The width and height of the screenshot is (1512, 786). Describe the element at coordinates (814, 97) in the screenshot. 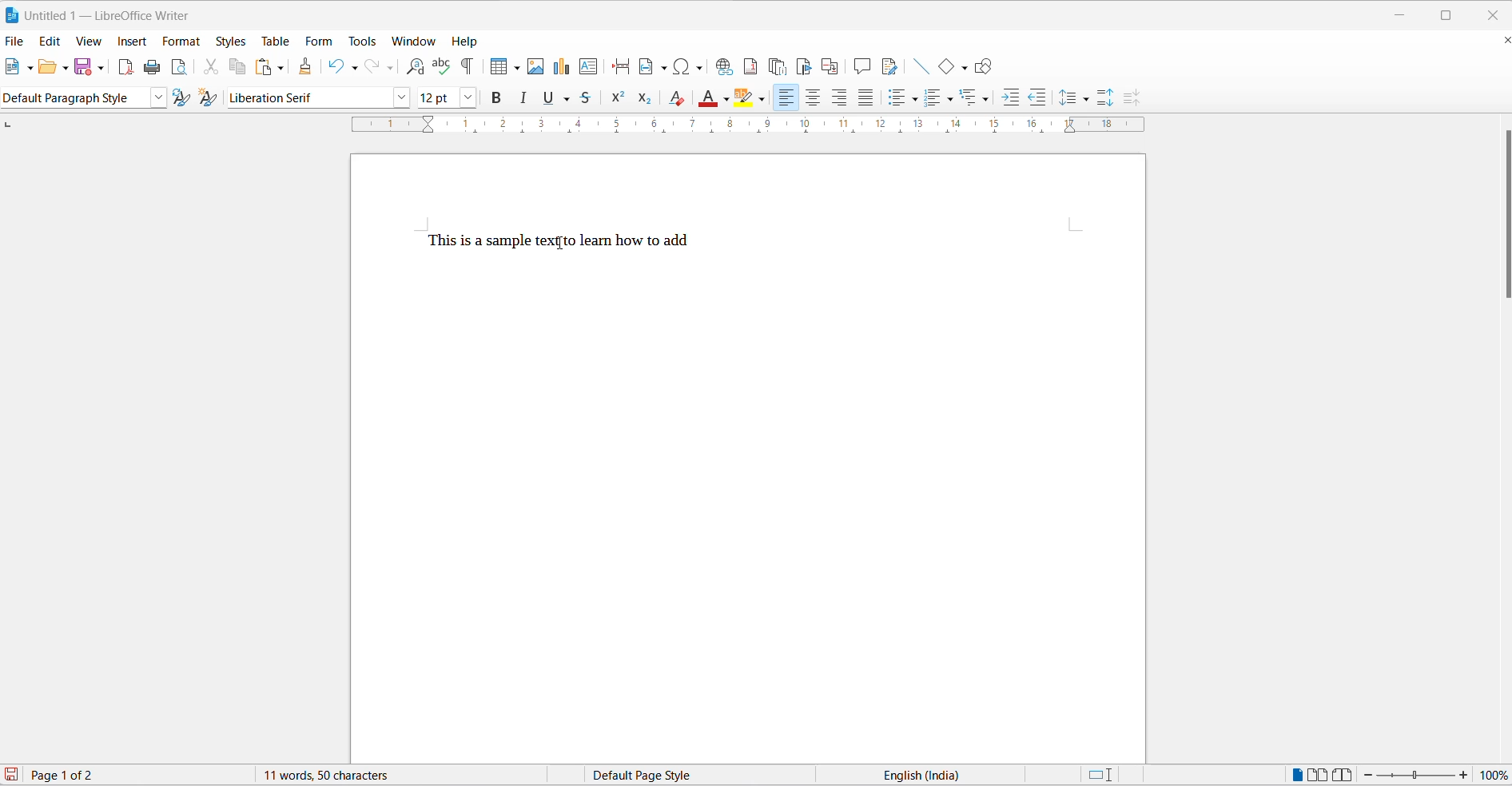

I see `text align center` at that location.